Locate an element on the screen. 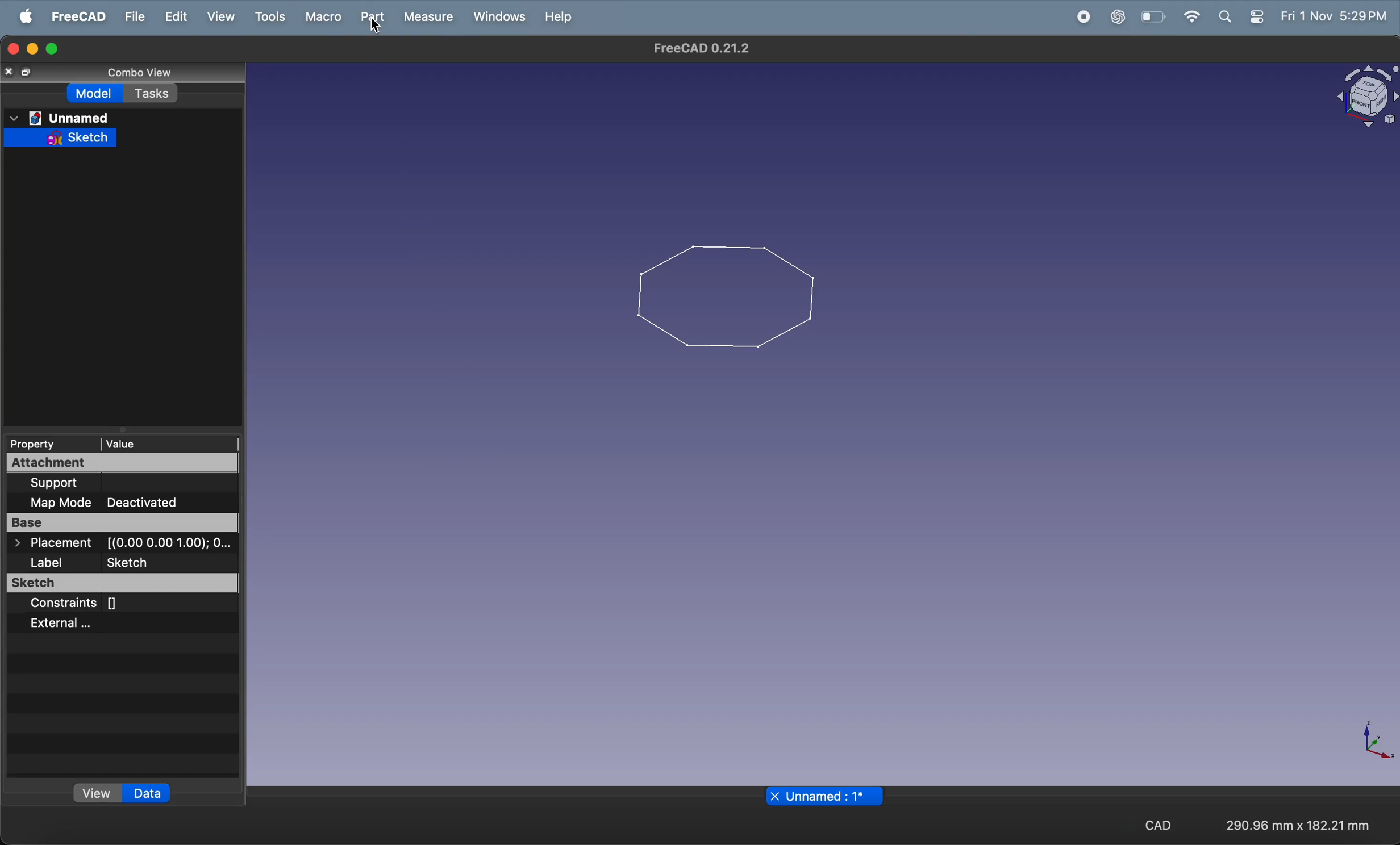 The height and width of the screenshot is (845, 1400). record is located at coordinates (1086, 18).